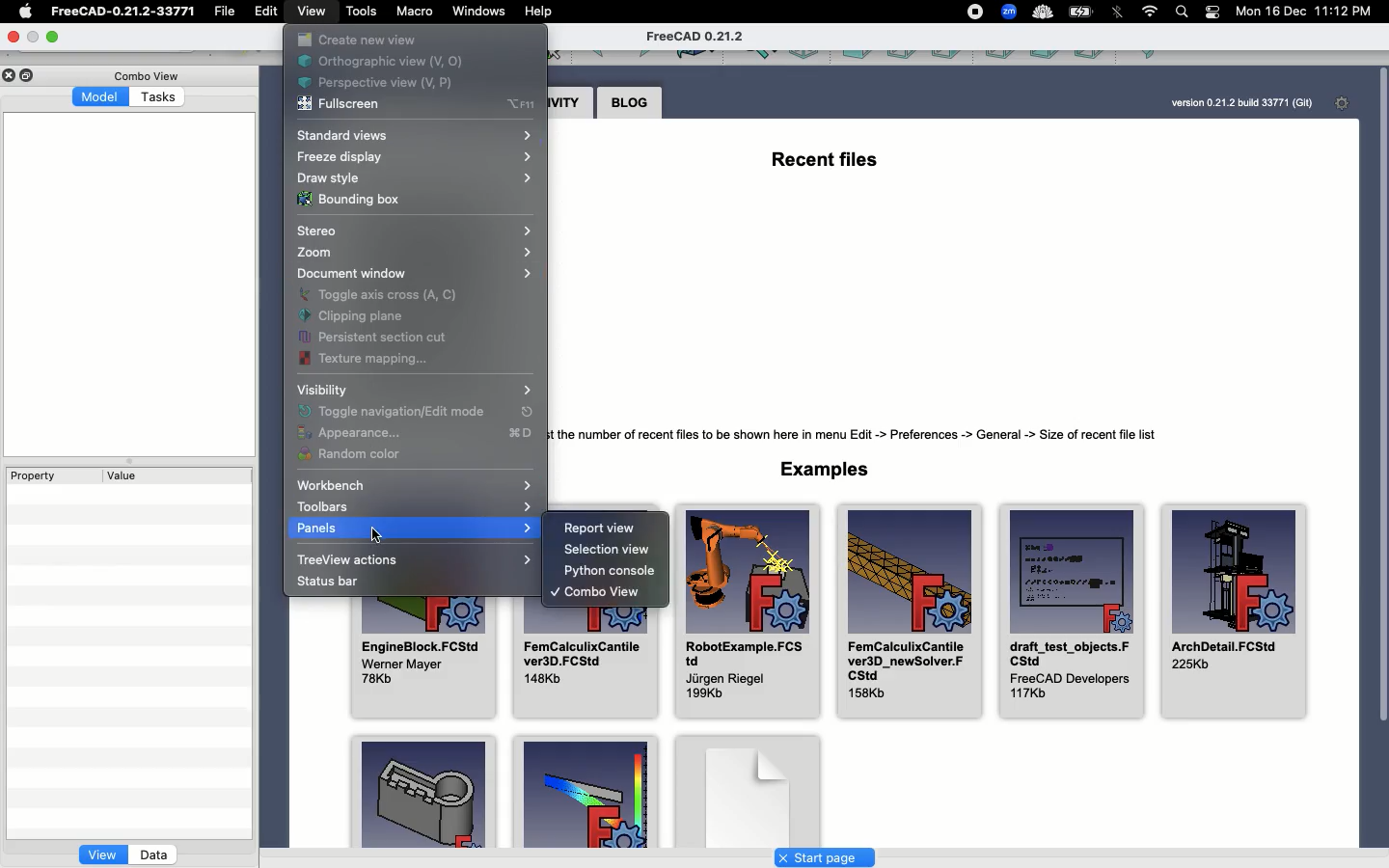 The width and height of the screenshot is (1389, 868). I want to click on Panels, so click(413, 529).